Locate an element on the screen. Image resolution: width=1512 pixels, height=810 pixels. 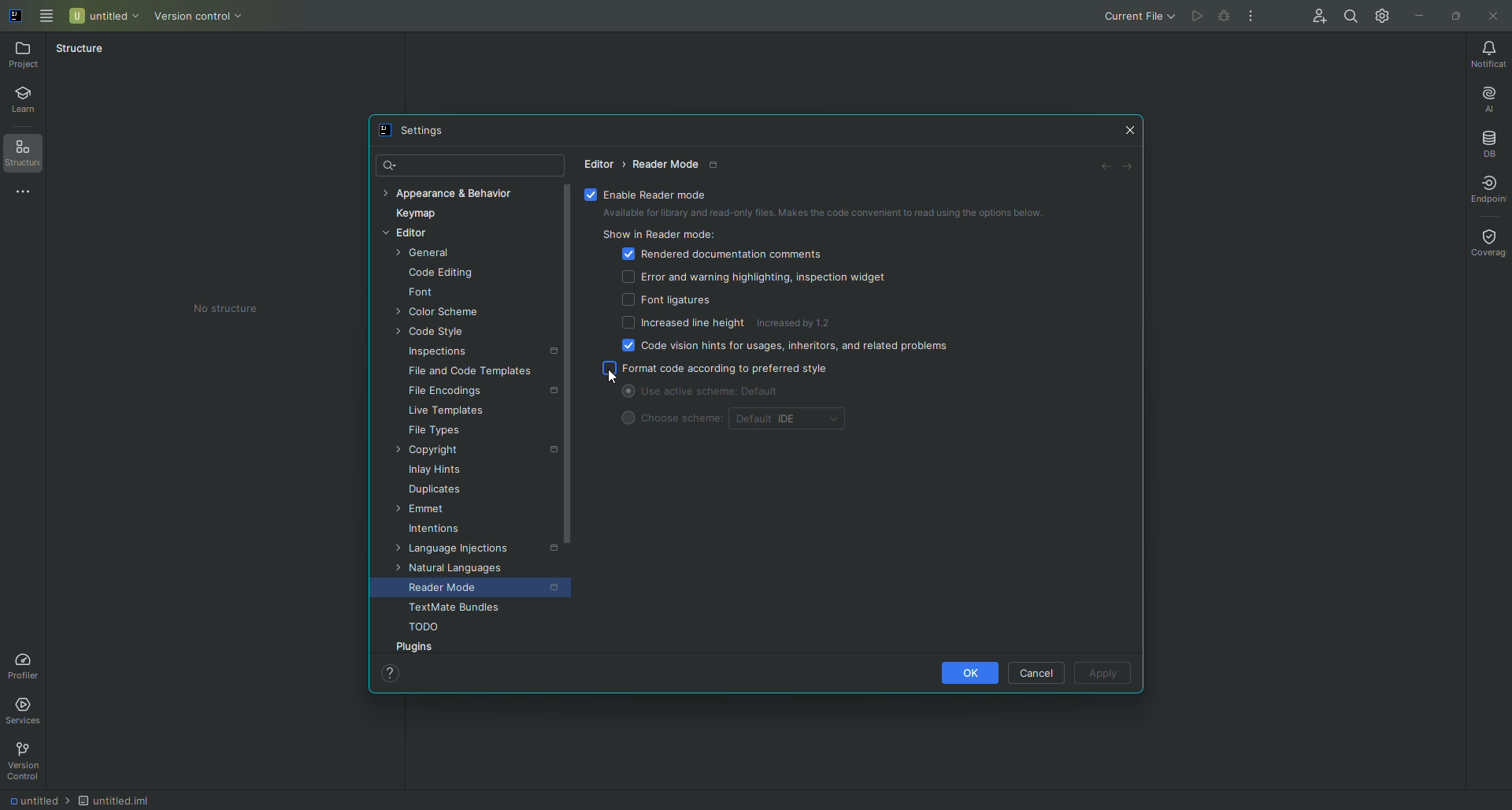
Use active scheme is located at coordinates (733, 393).